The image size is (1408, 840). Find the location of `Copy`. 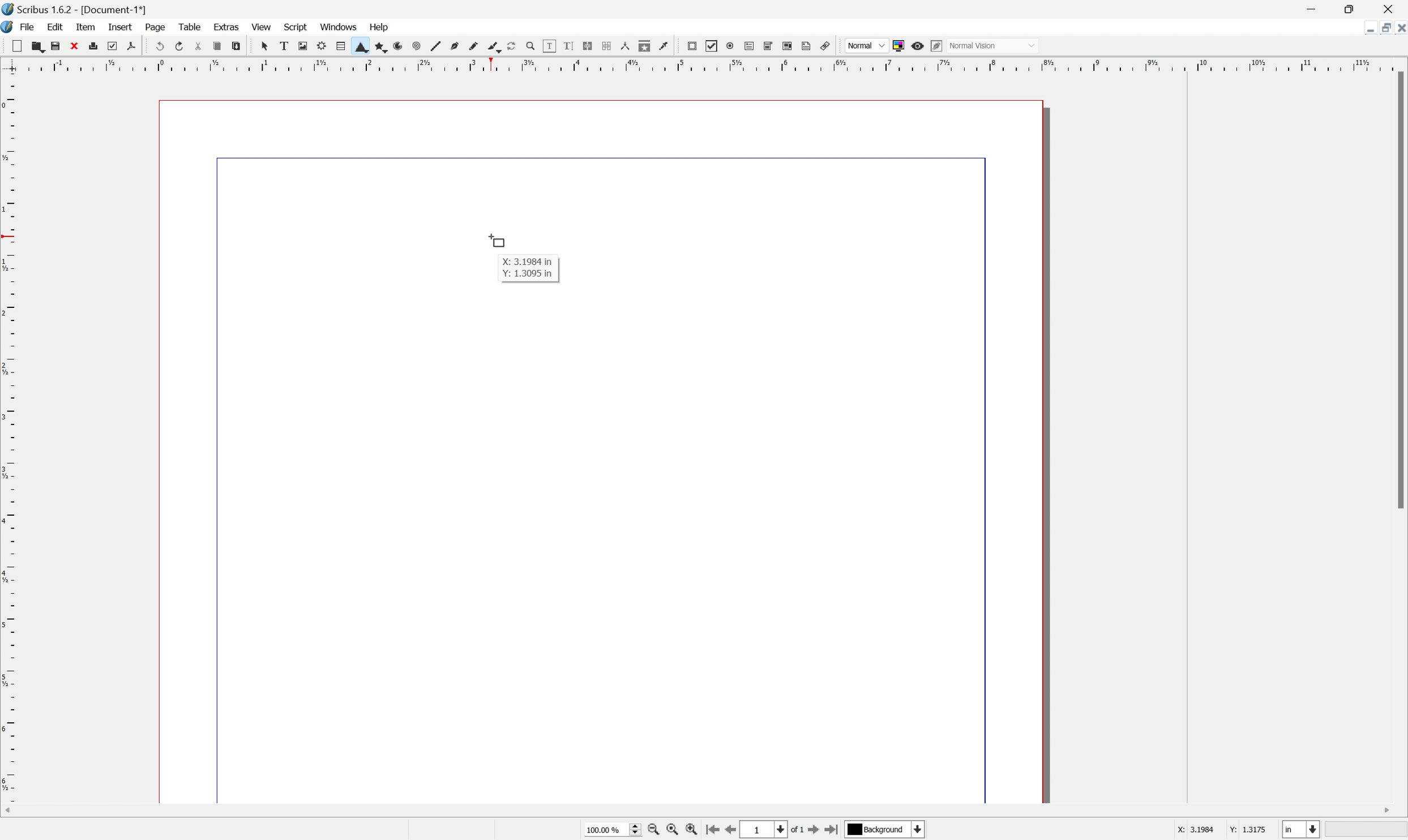

Copy is located at coordinates (216, 46).